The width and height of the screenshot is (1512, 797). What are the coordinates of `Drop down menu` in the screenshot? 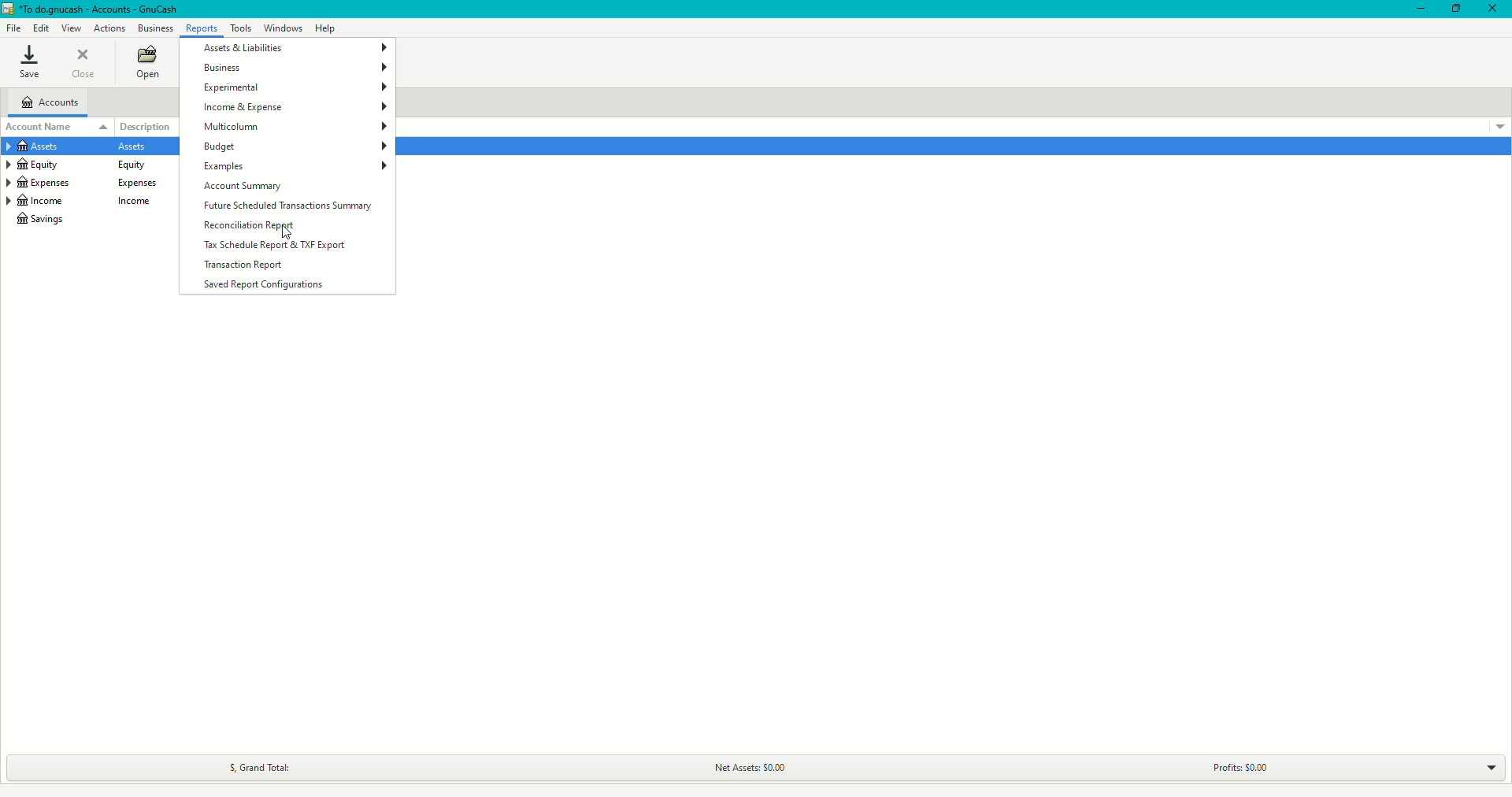 It's located at (1496, 128).